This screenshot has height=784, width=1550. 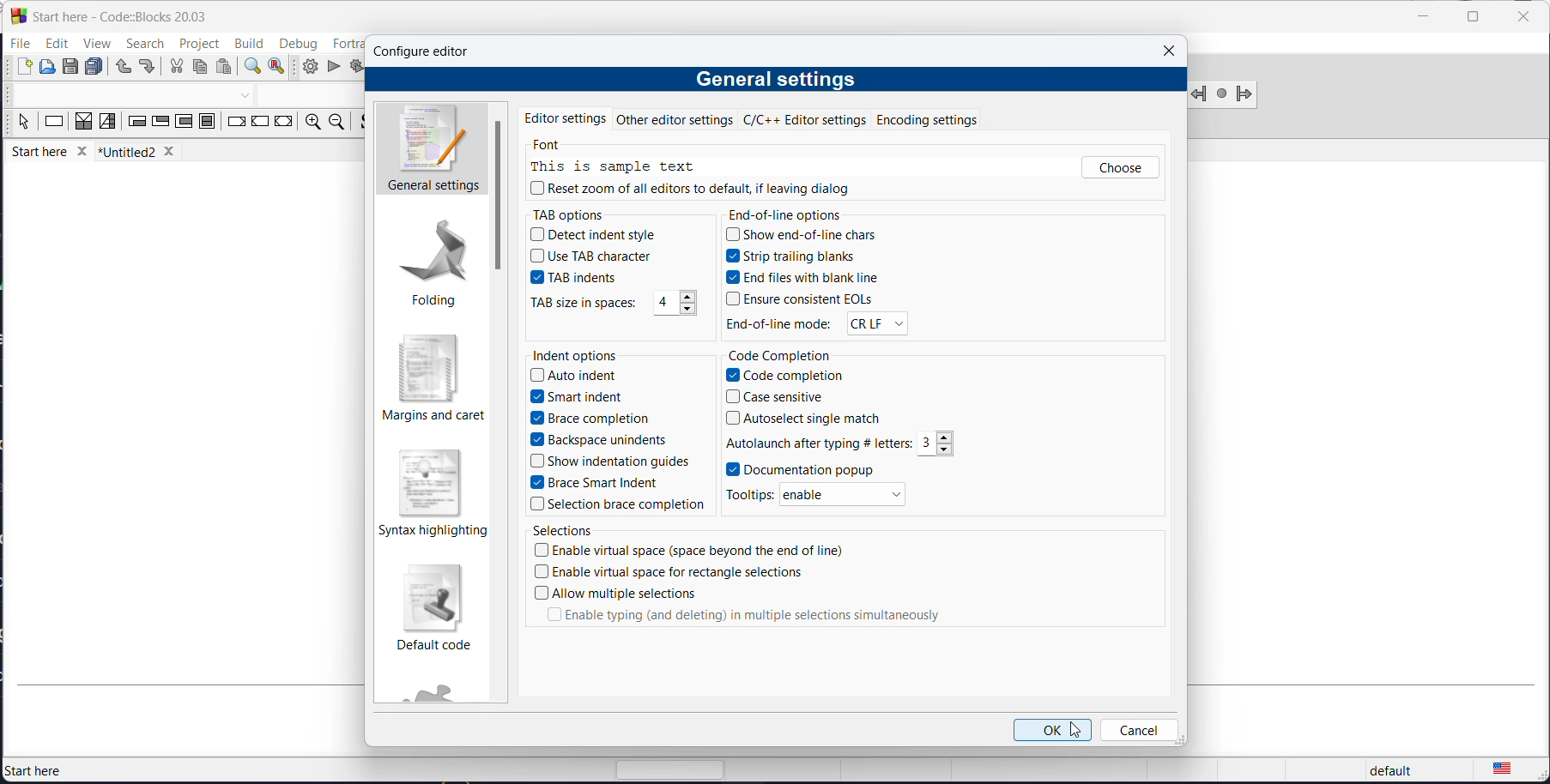 I want to click on open, so click(x=49, y=69).